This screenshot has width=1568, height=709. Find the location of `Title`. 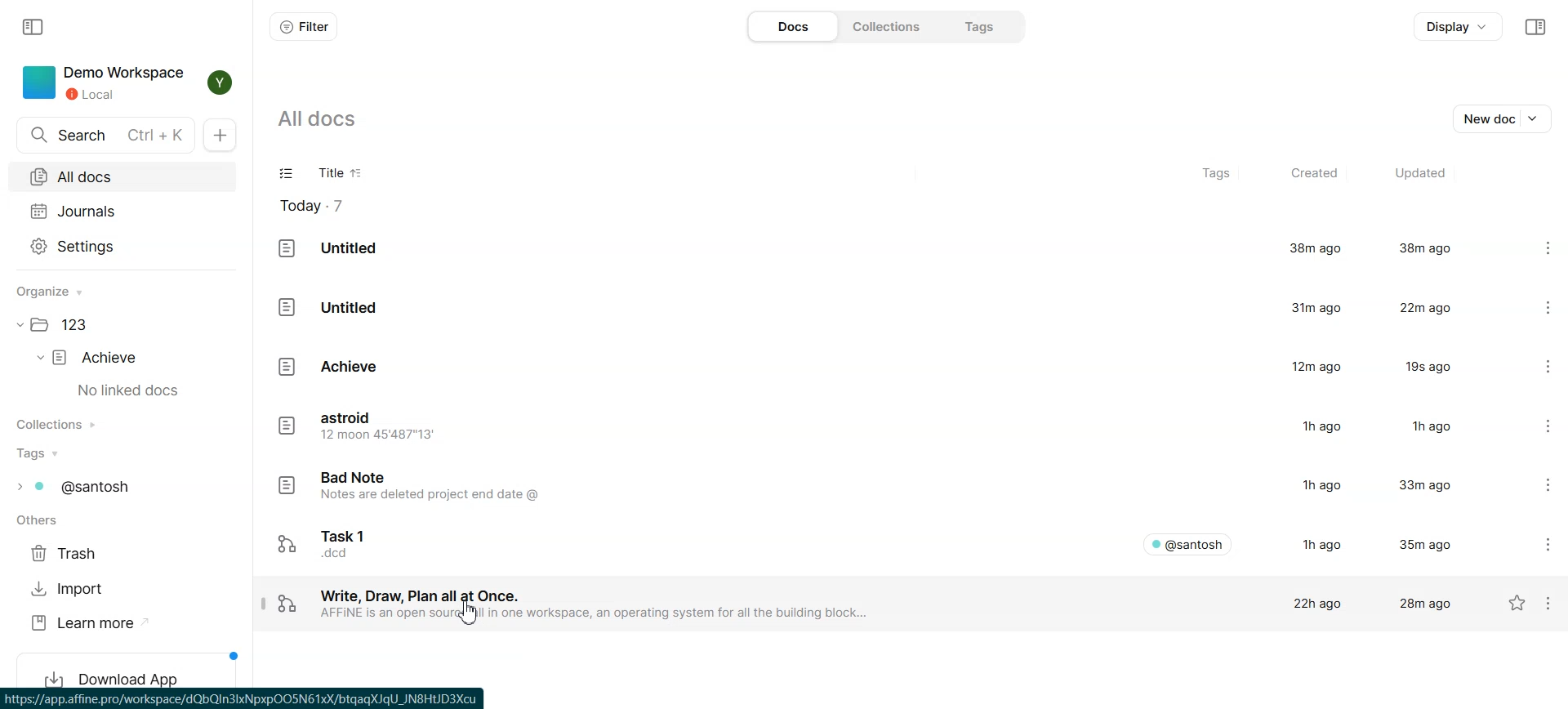

Title is located at coordinates (326, 175).